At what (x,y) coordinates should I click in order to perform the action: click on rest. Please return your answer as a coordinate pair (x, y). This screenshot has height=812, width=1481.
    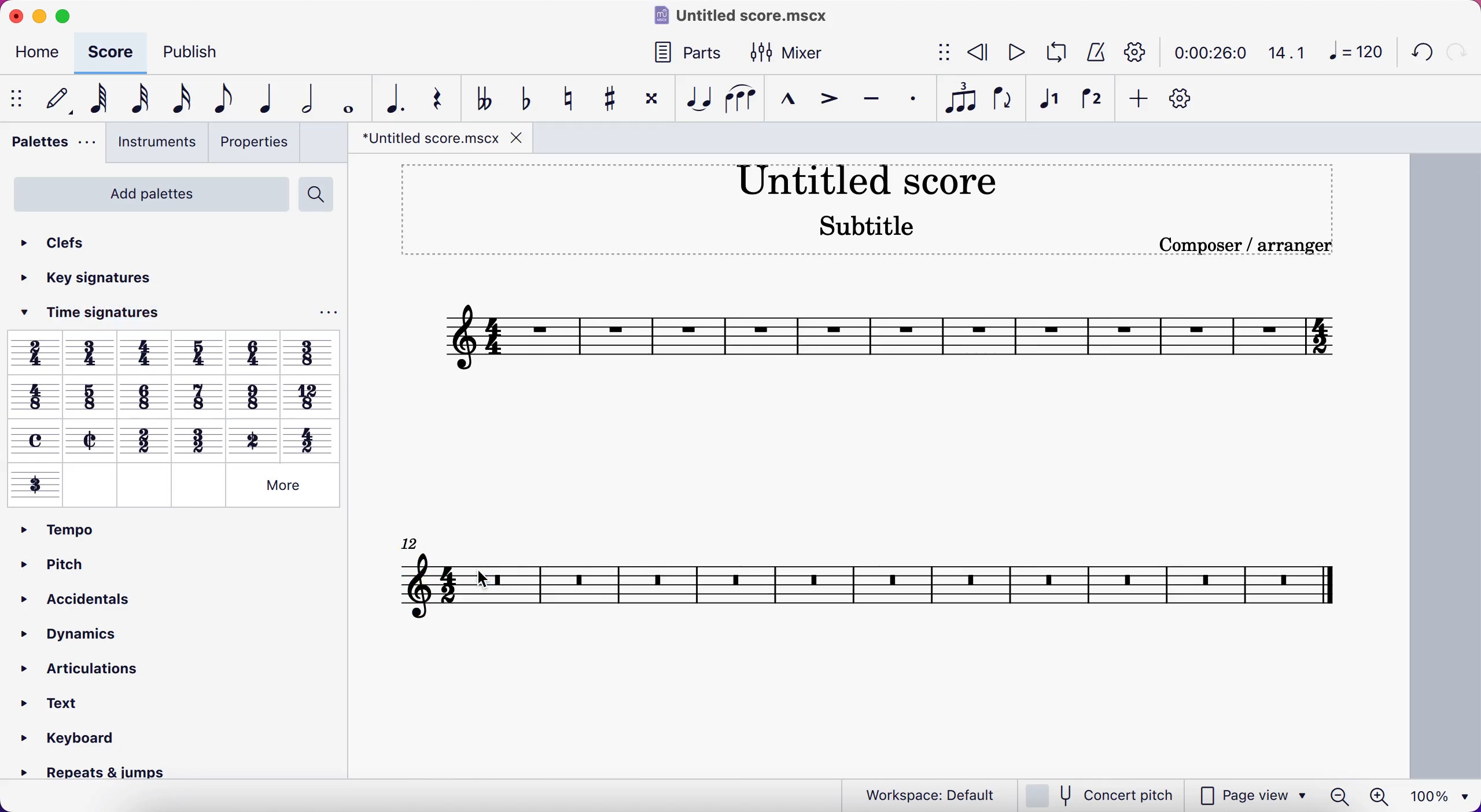
    Looking at the image, I should click on (437, 98).